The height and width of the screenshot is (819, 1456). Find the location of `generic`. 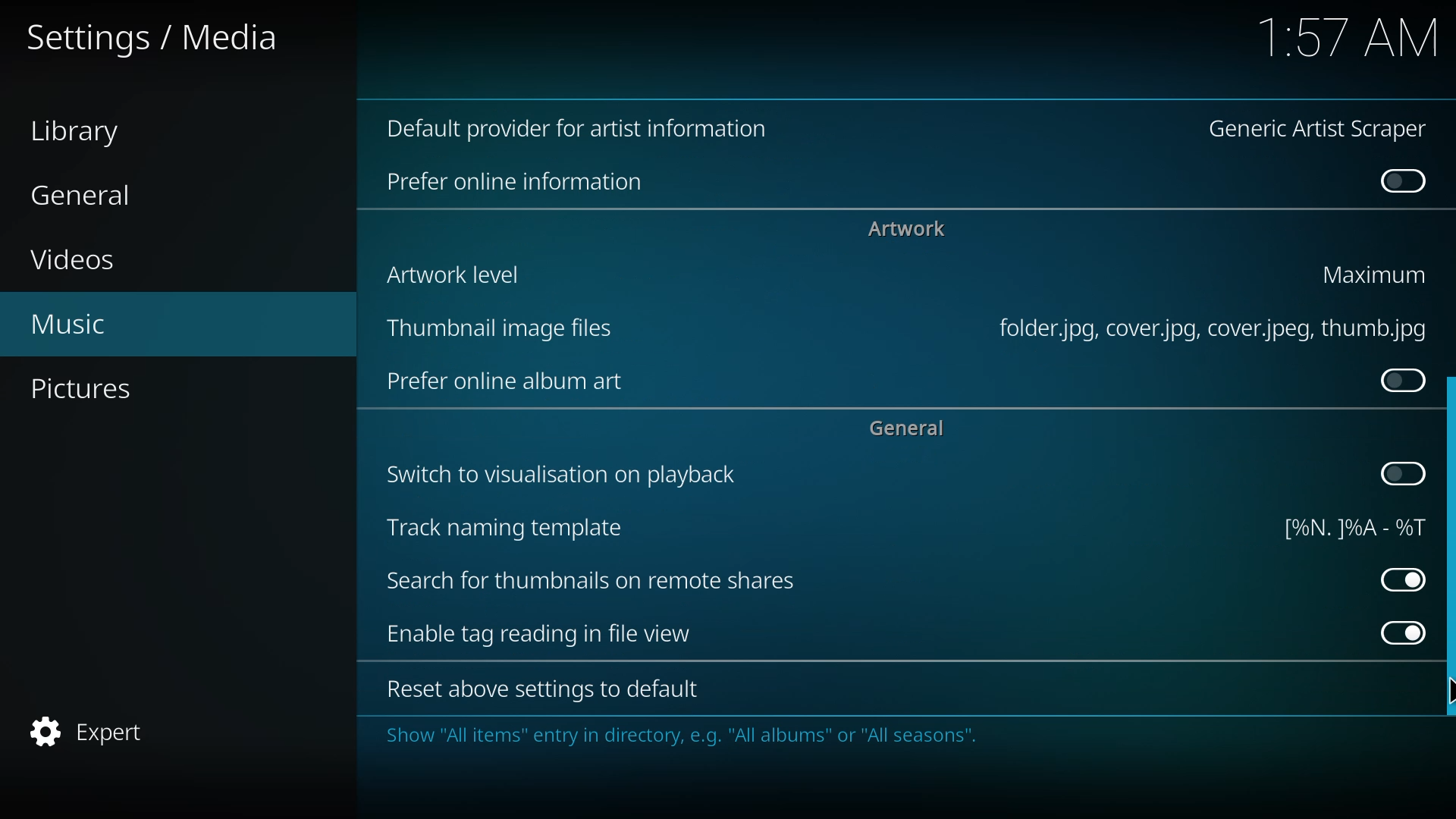

generic is located at coordinates (1321, 130).